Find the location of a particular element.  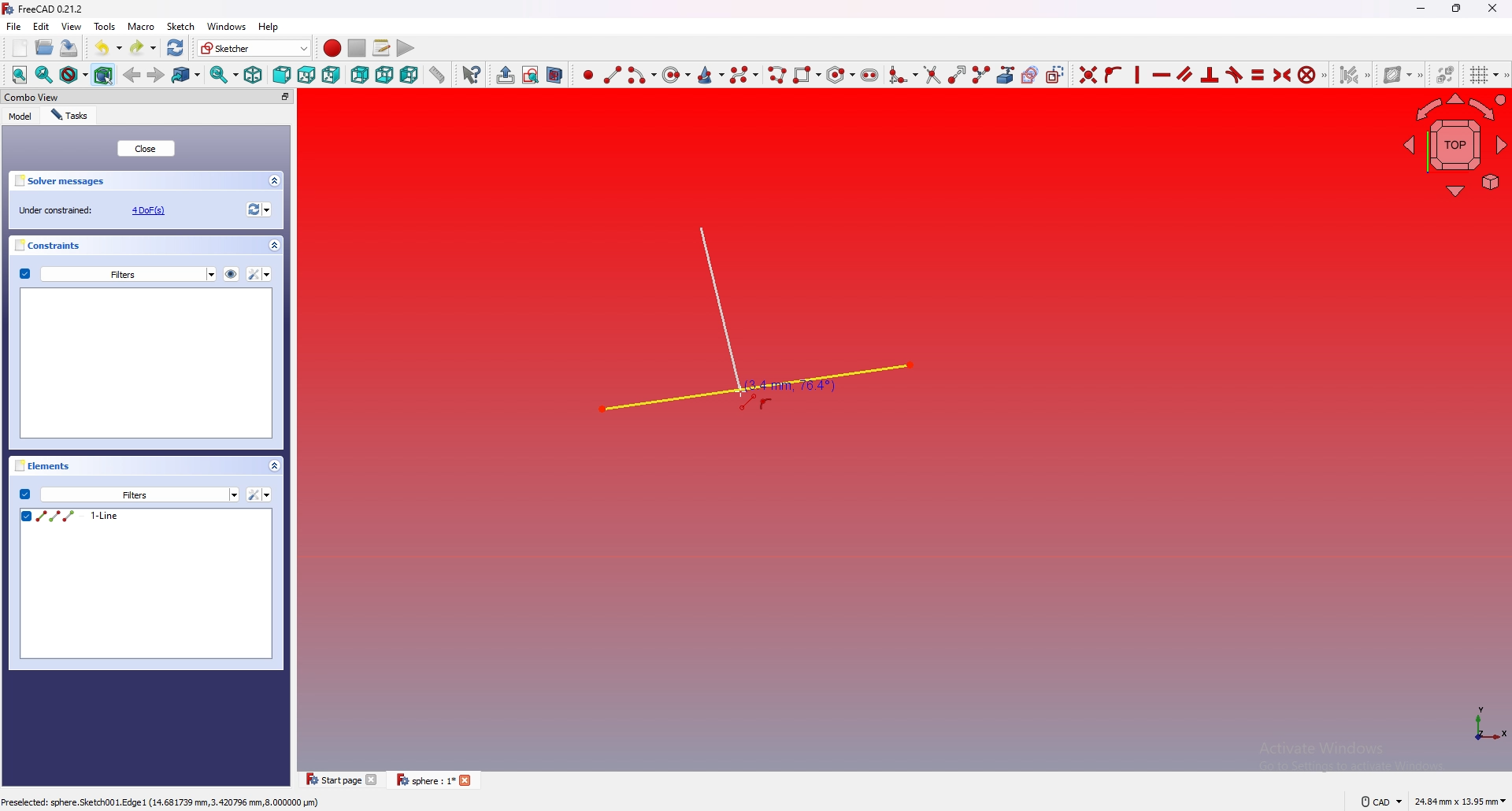

CAD is located at coordinates (1378, 802).